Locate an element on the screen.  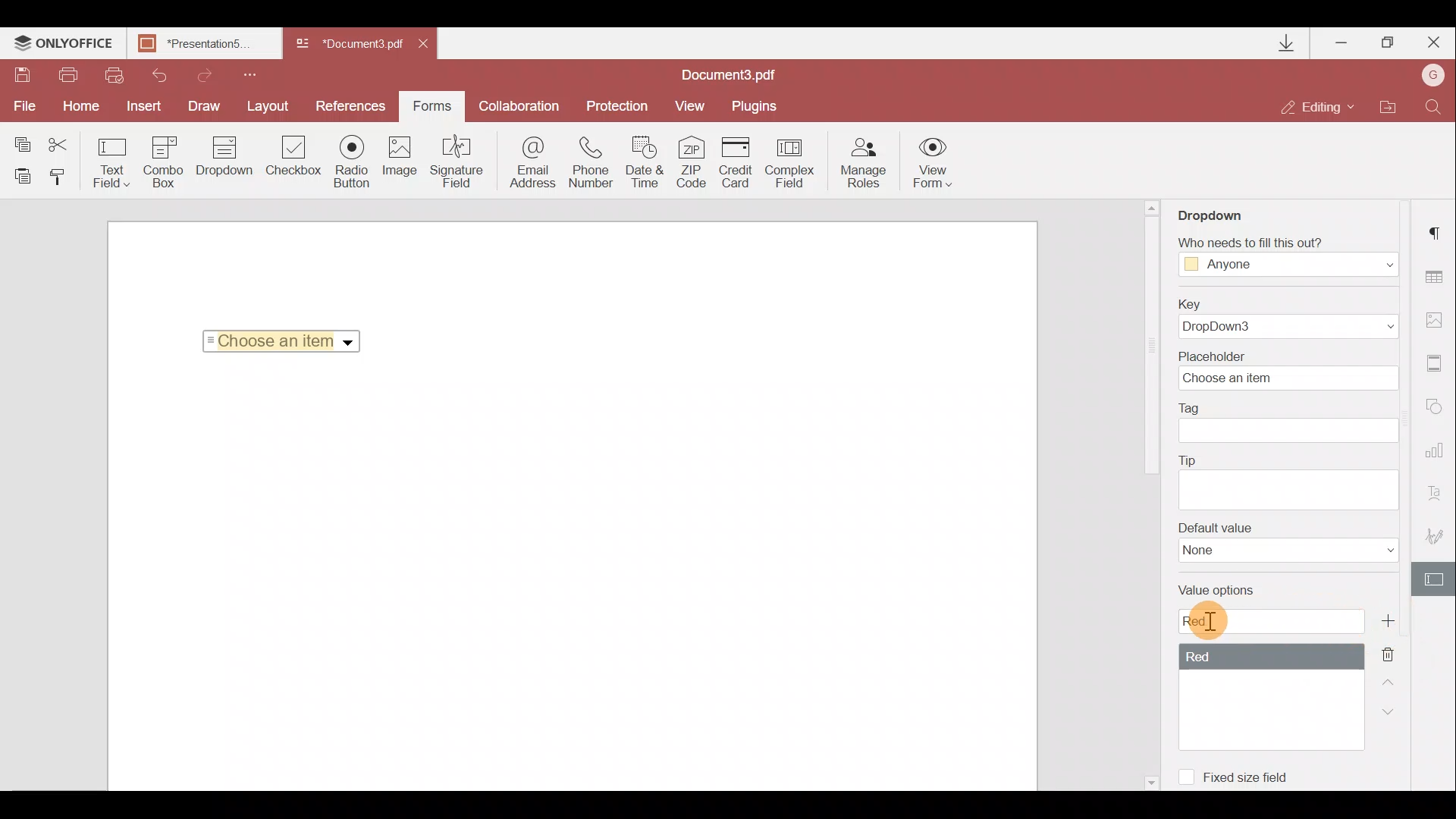
Fixed size field is located at coordinates (1255, 780).